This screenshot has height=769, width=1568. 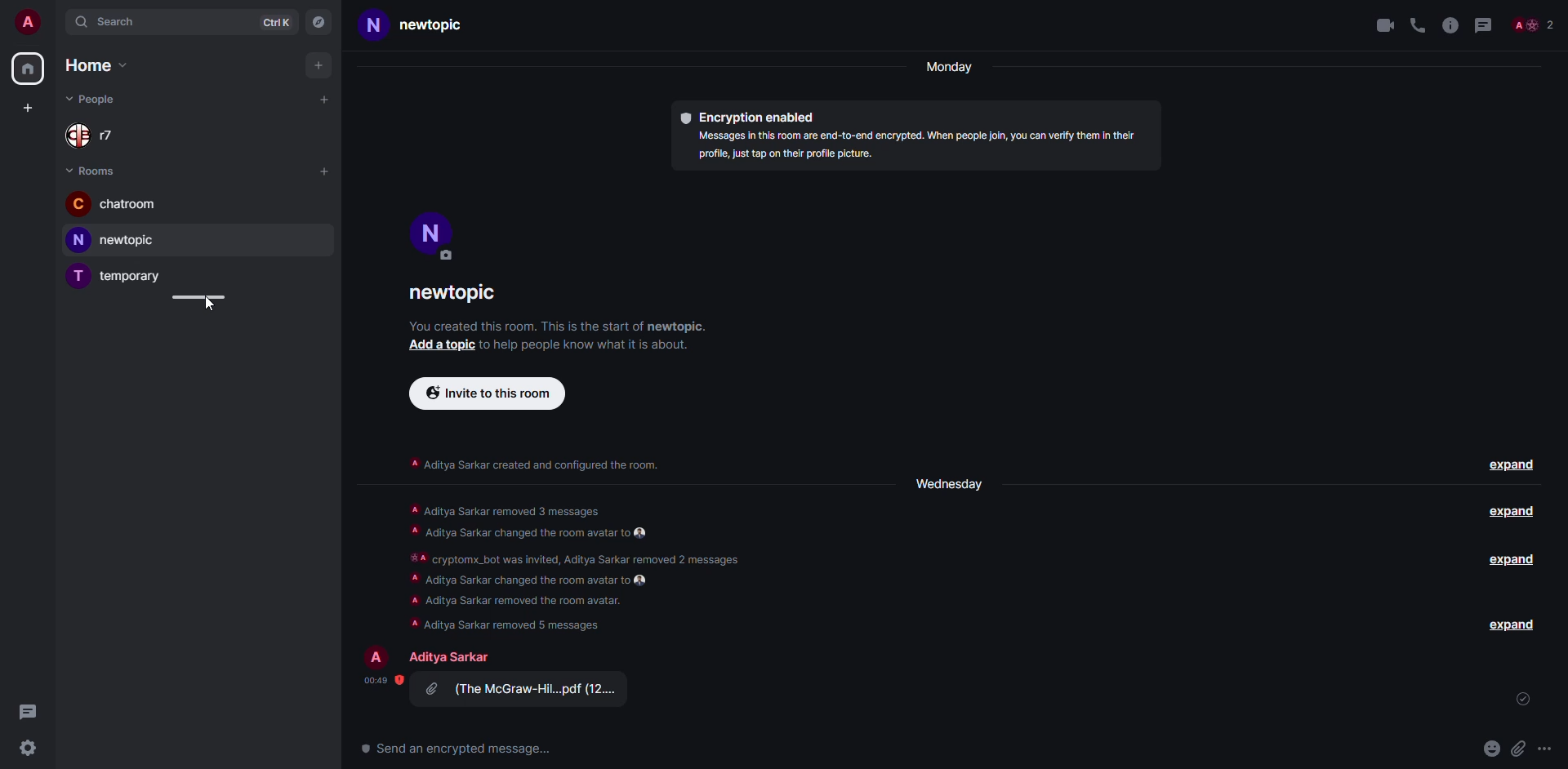 What do you see at coordinates (120, 204) in the screenshot?
I see `chatroom` at bounding box center [120, 204].